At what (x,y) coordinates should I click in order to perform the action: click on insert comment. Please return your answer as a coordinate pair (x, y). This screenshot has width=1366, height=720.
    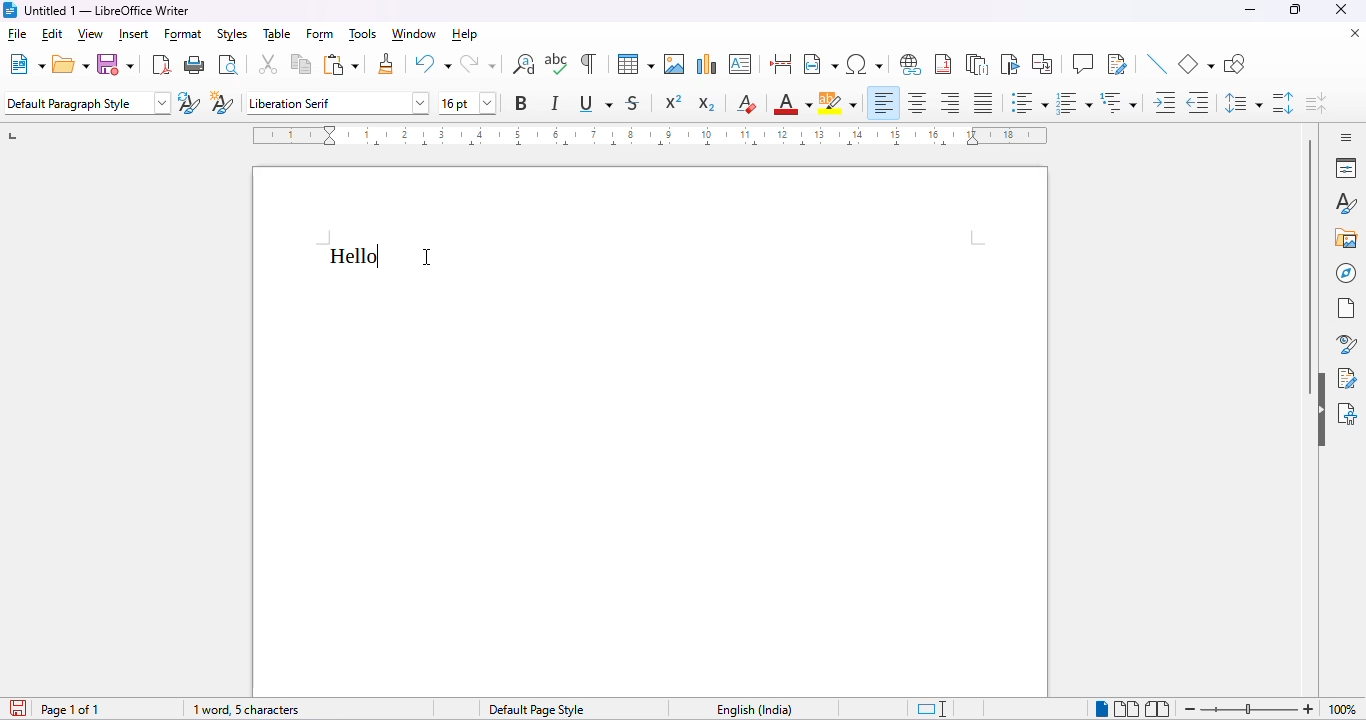
    Looking at the image, I should click on (1083, 63).